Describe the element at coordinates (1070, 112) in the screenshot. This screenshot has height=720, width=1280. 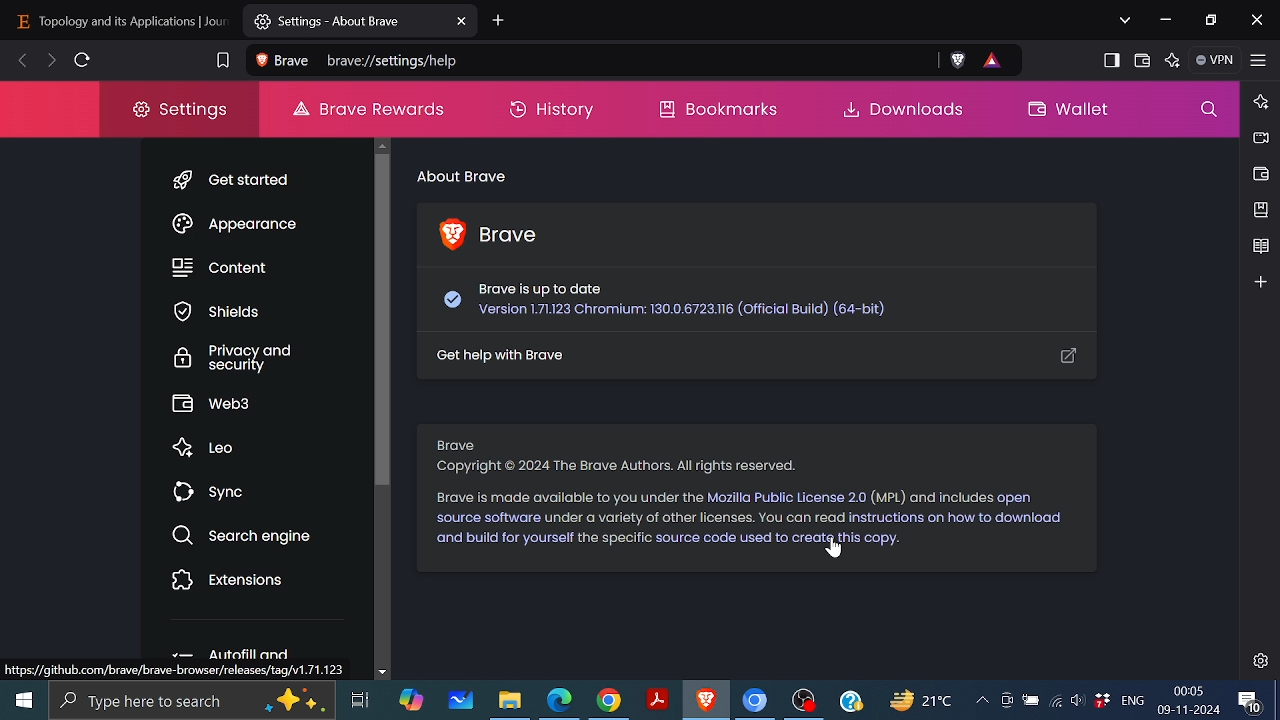
I see `Wallet` at that location.